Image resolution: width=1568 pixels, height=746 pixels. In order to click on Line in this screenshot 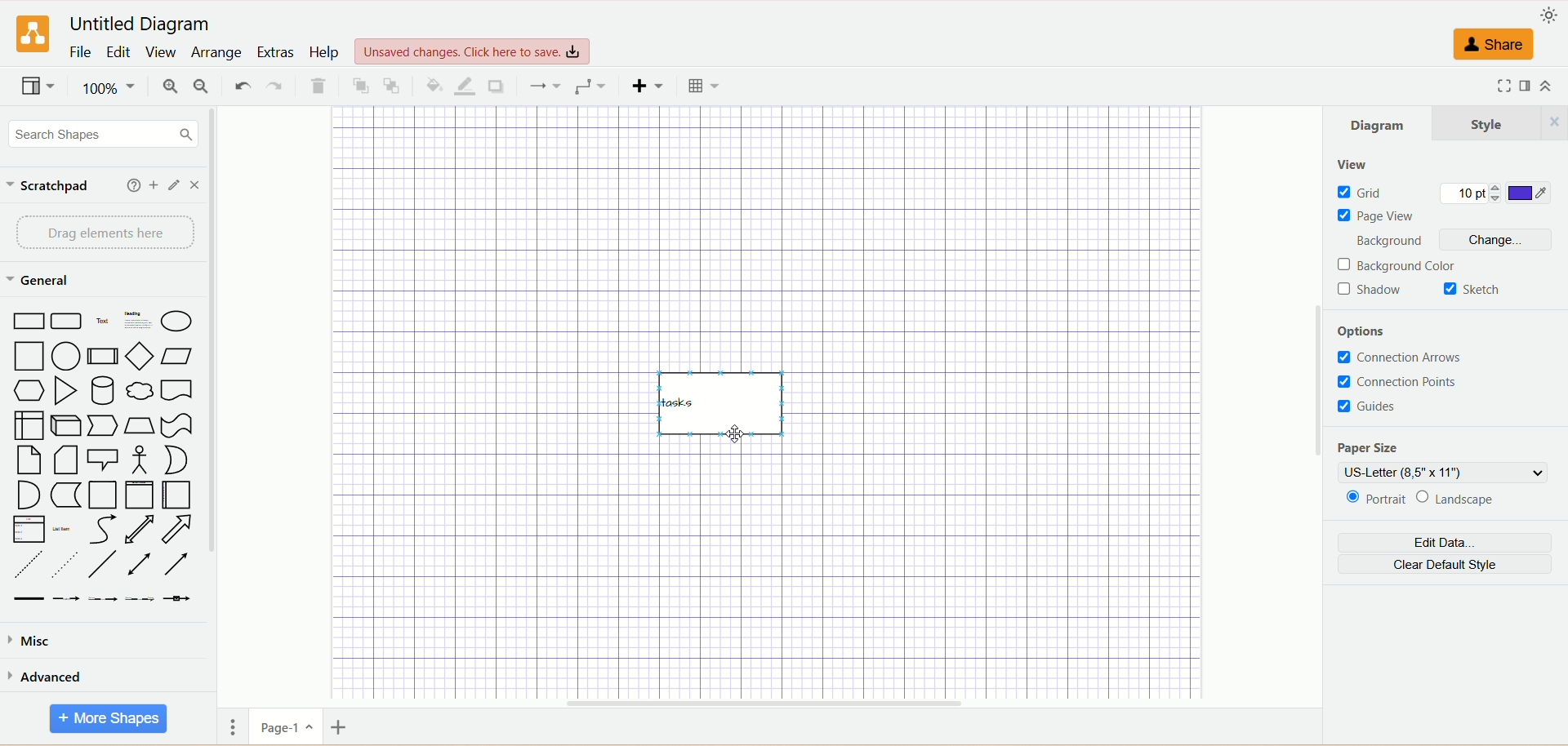, I will do `click(102, 566)`.